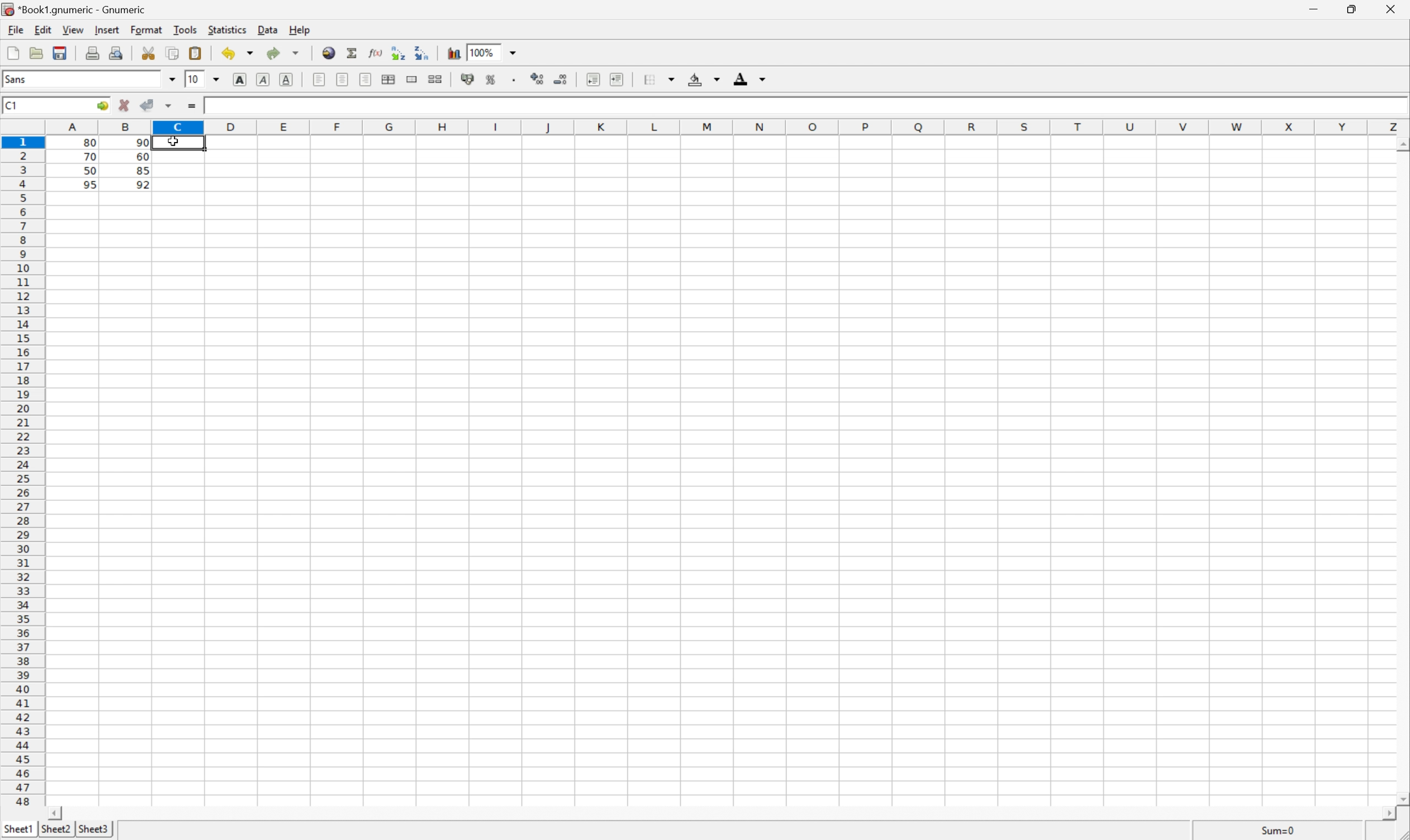  Describe the element at coordinates (17, 78) in the screenshot. I see `Sans` at that location.